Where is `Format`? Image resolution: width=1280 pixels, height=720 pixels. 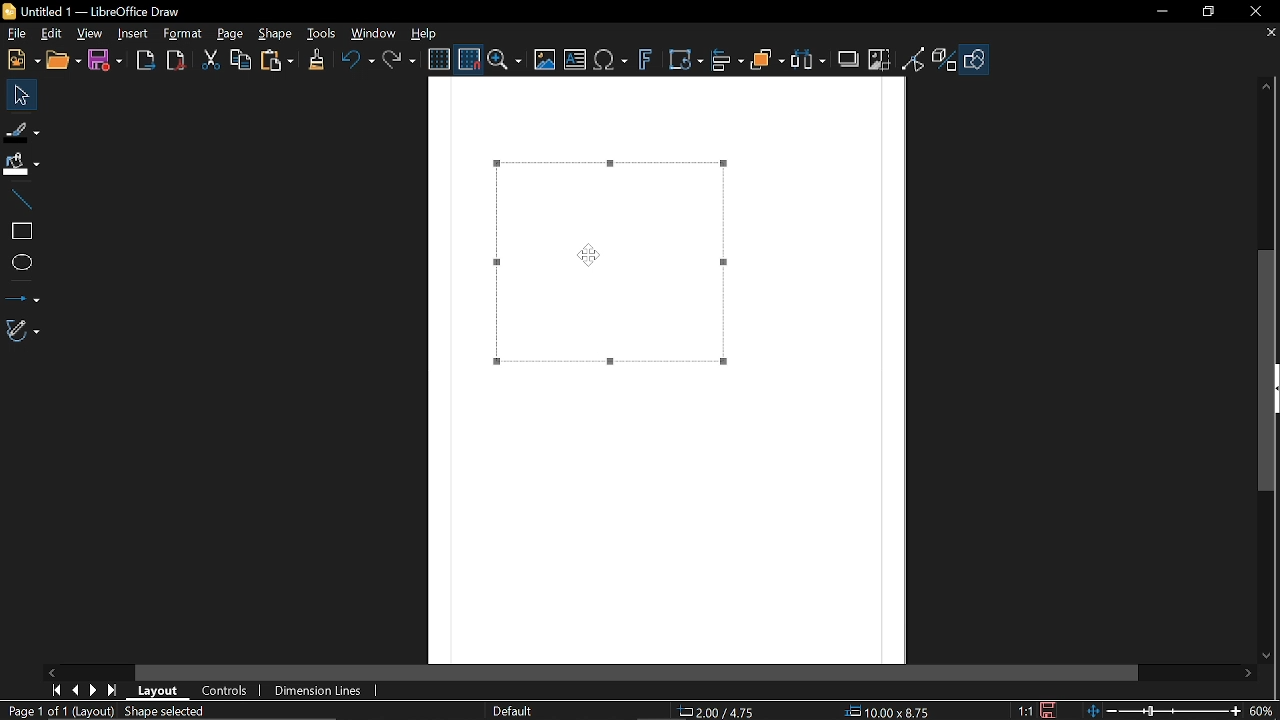 Format is located at coordinates (183, 34).